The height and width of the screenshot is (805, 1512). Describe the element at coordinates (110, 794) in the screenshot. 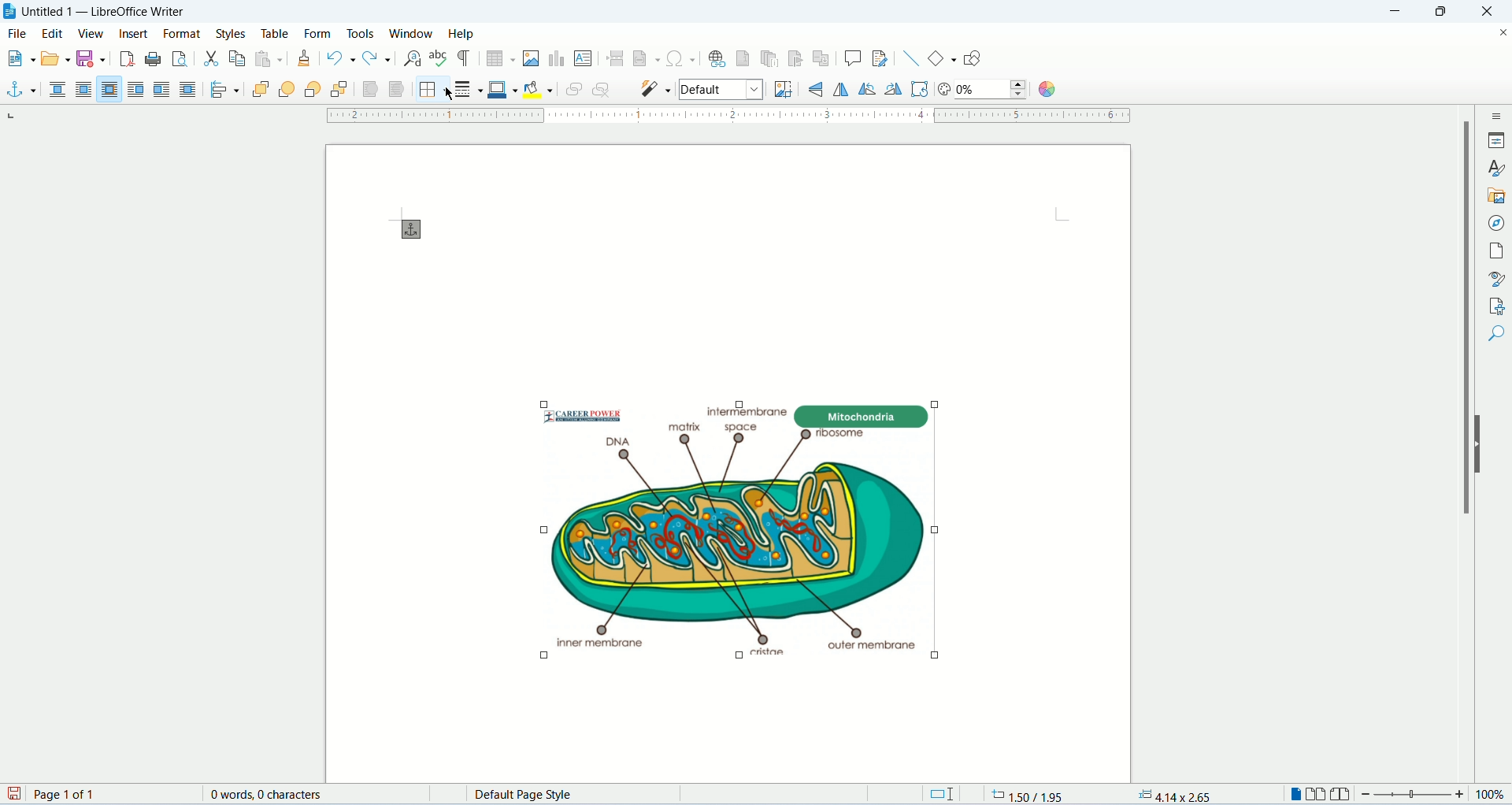

I see `page 1 of 1` at that location.